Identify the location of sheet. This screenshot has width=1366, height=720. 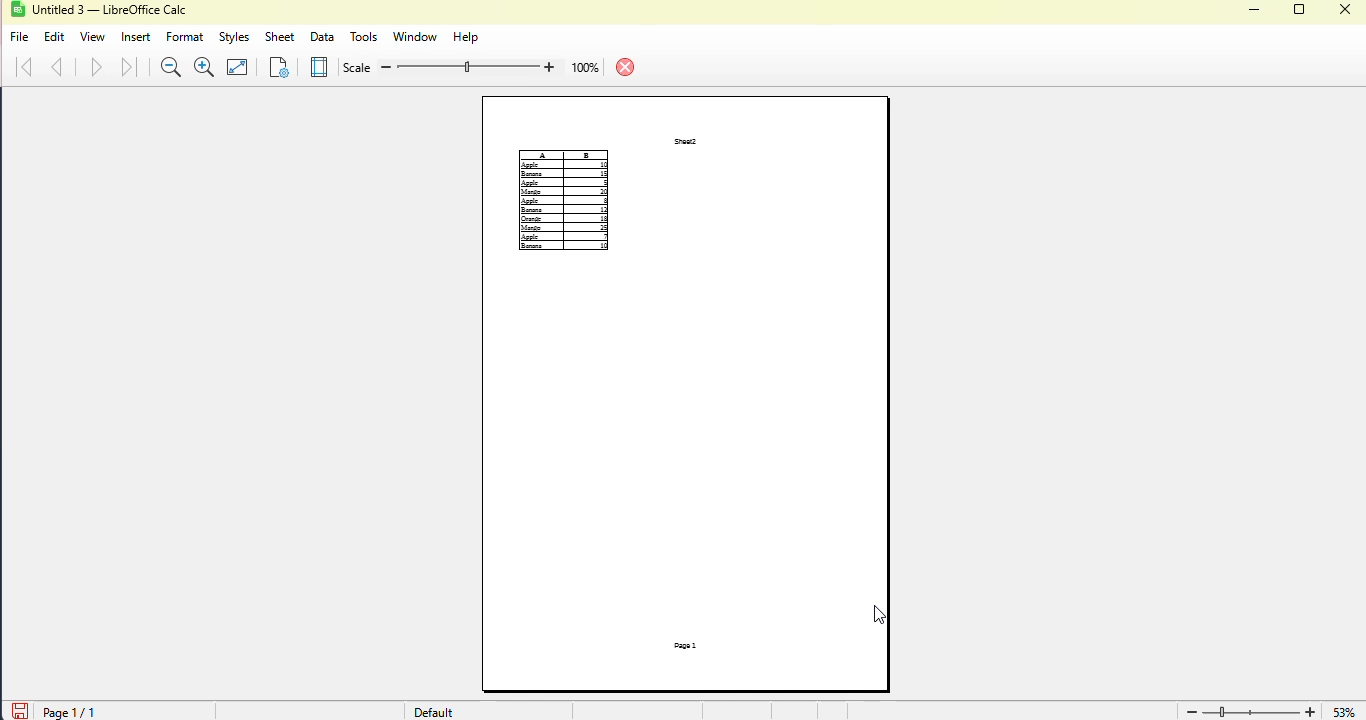
(280, 37).